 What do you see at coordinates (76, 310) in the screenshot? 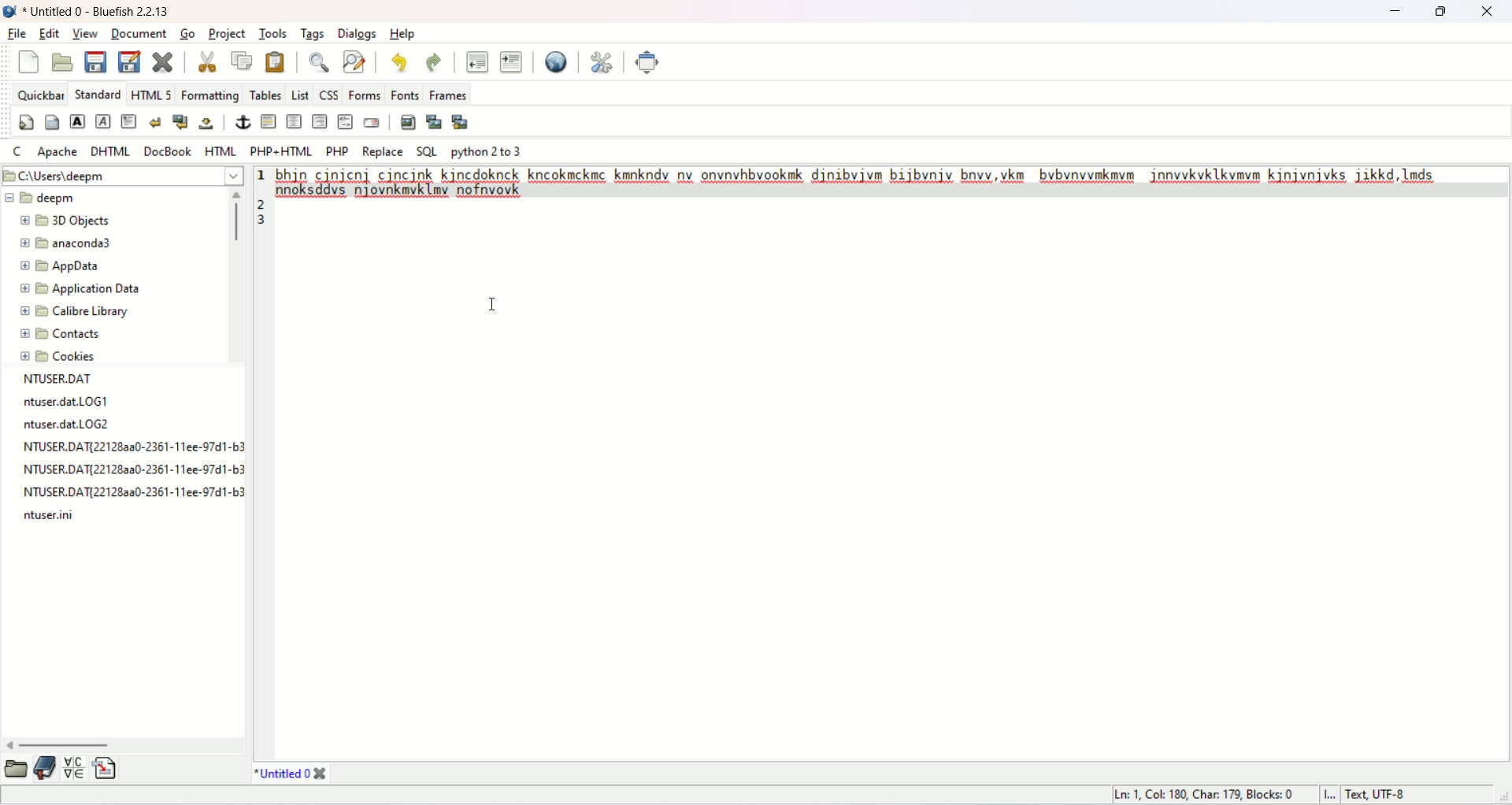
I see `calibre` at bounding box center [76, 310].